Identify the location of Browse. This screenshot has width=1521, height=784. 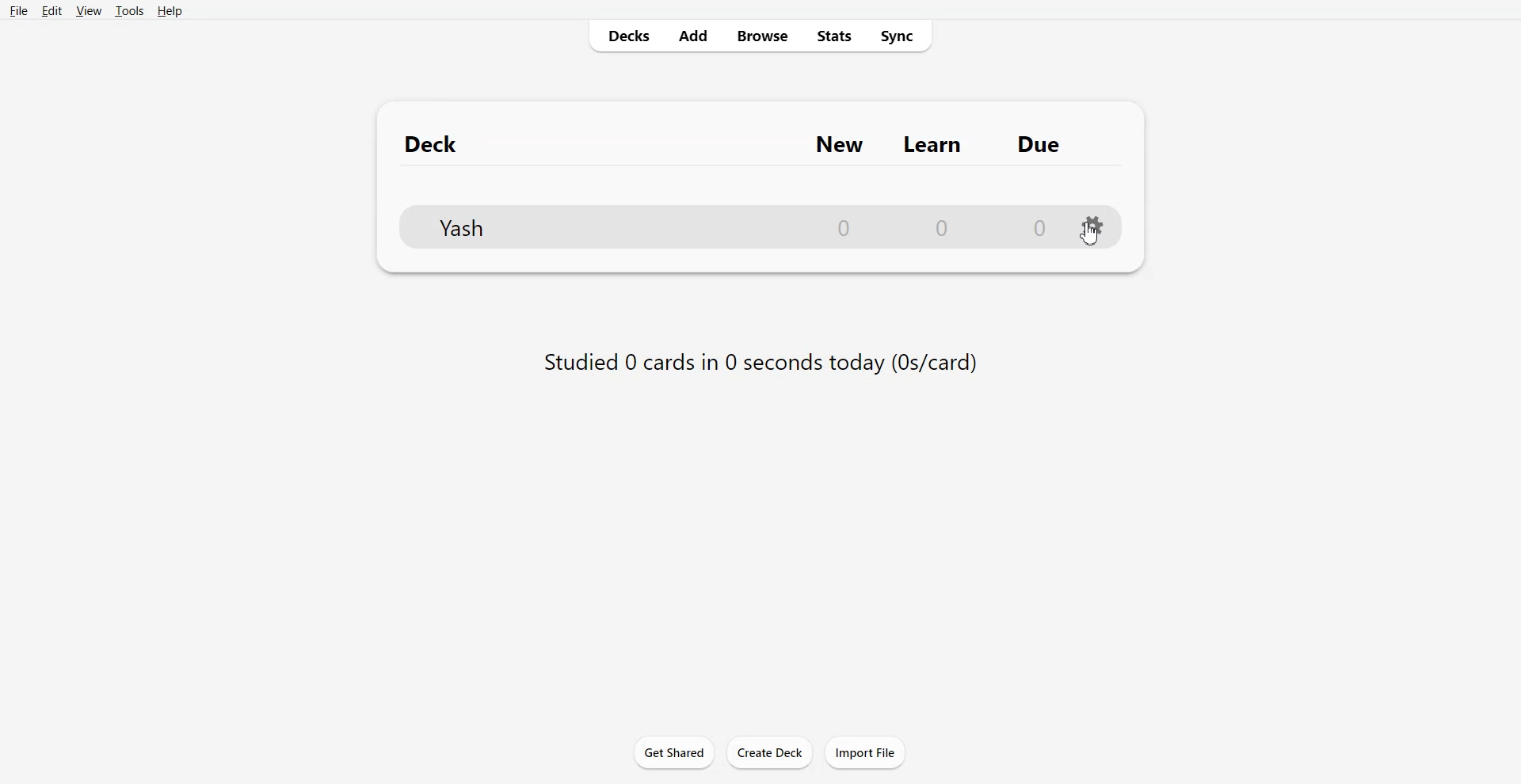
(762, 36).